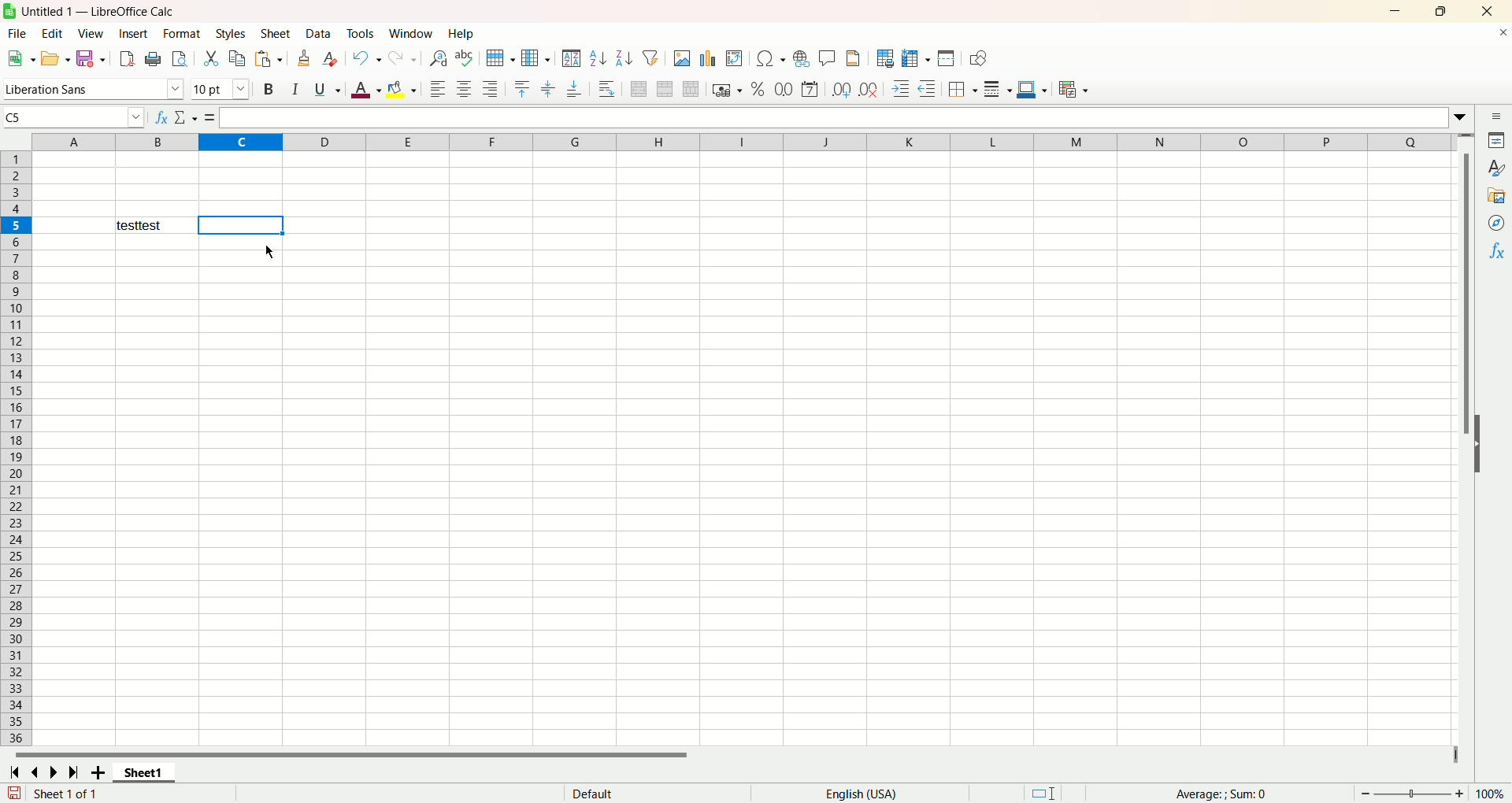  Describe the element at coordinates (402, 88) in the screenshot. I see `background color` at that location.